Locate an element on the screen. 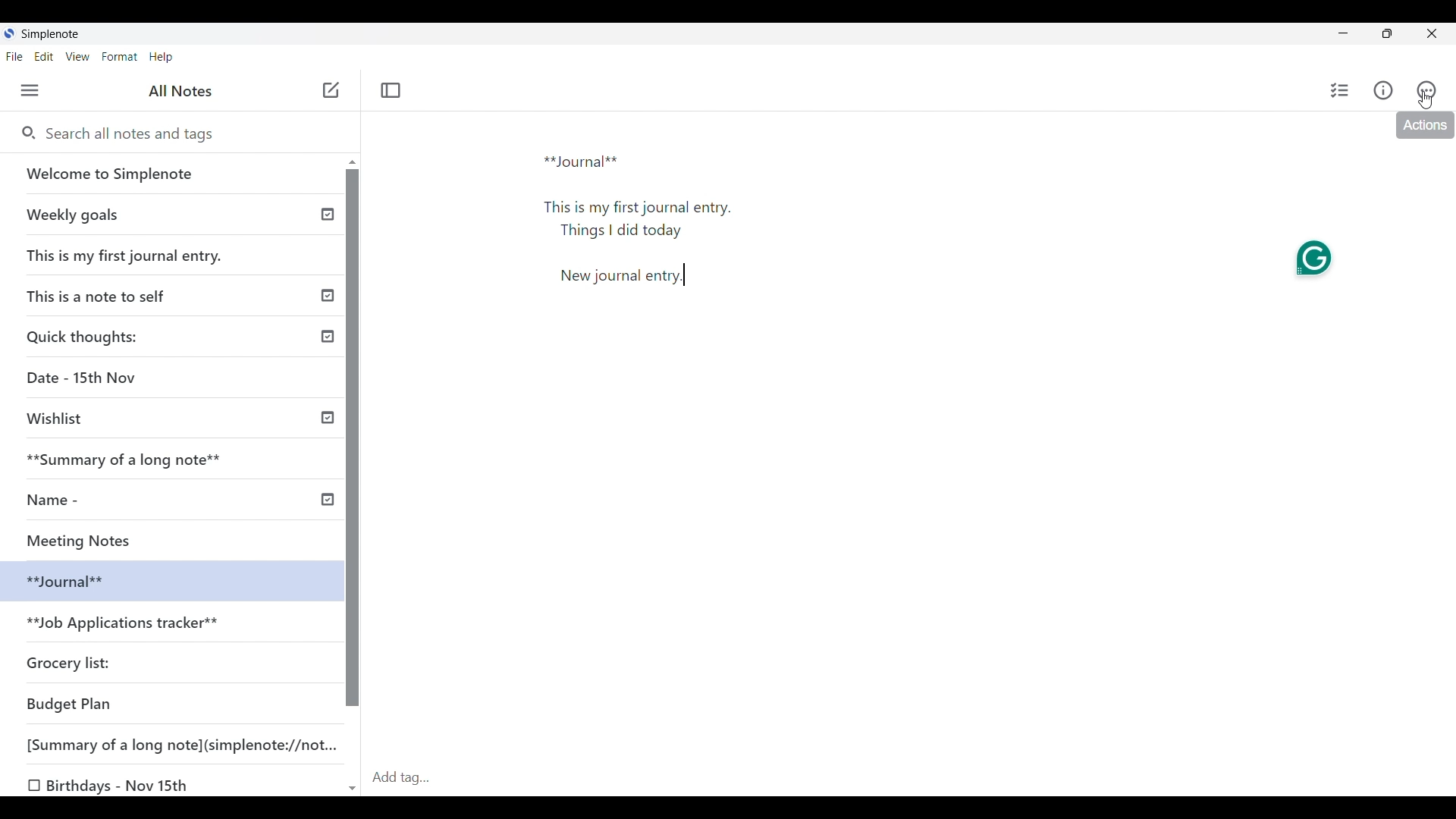  Software name is located at coordinates (52, 34).